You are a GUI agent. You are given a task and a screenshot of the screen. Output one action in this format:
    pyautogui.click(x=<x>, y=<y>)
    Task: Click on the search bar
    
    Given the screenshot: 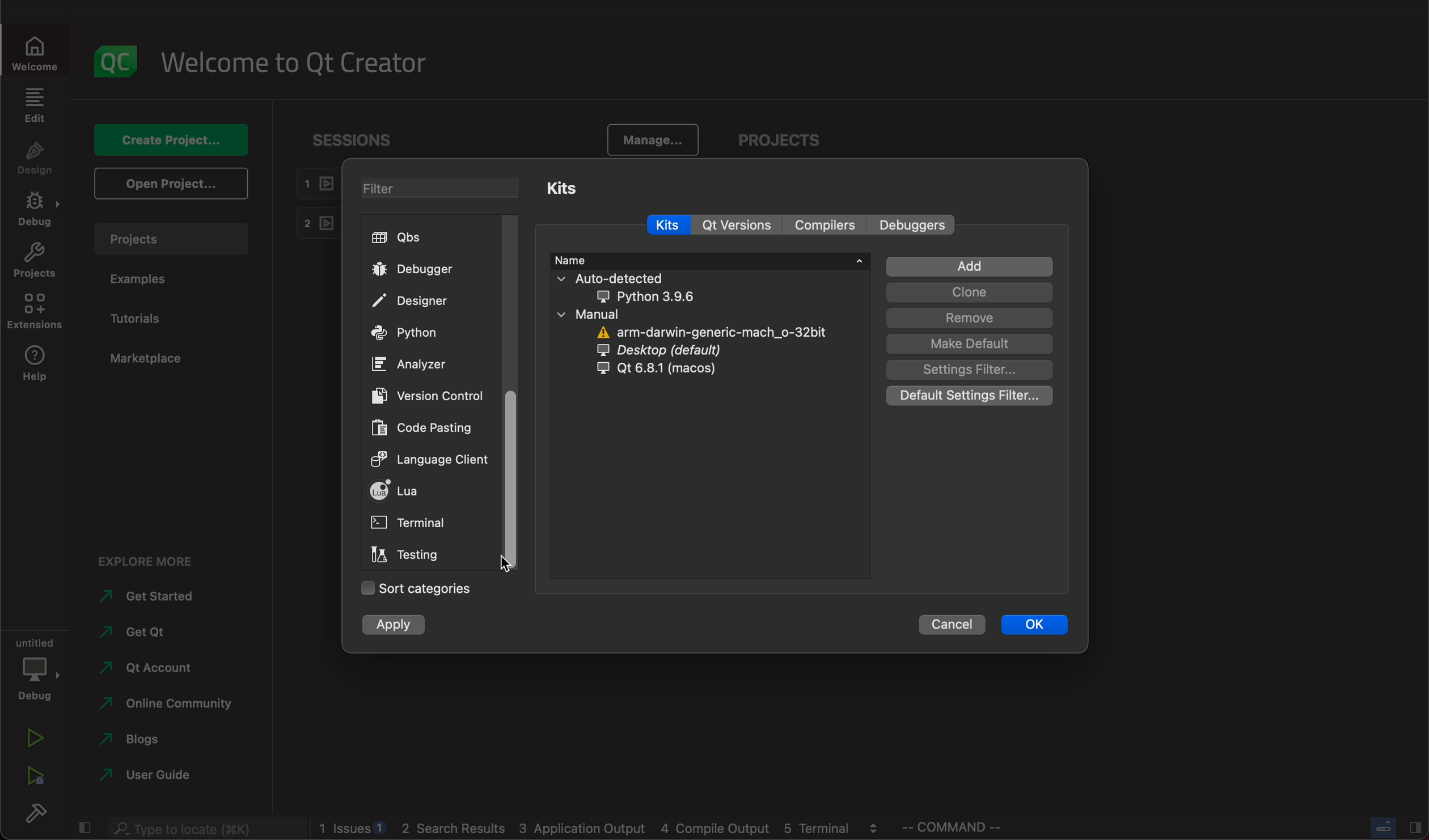 What is the action you would take?
    pyautogui.click(x=202, y=829)
    